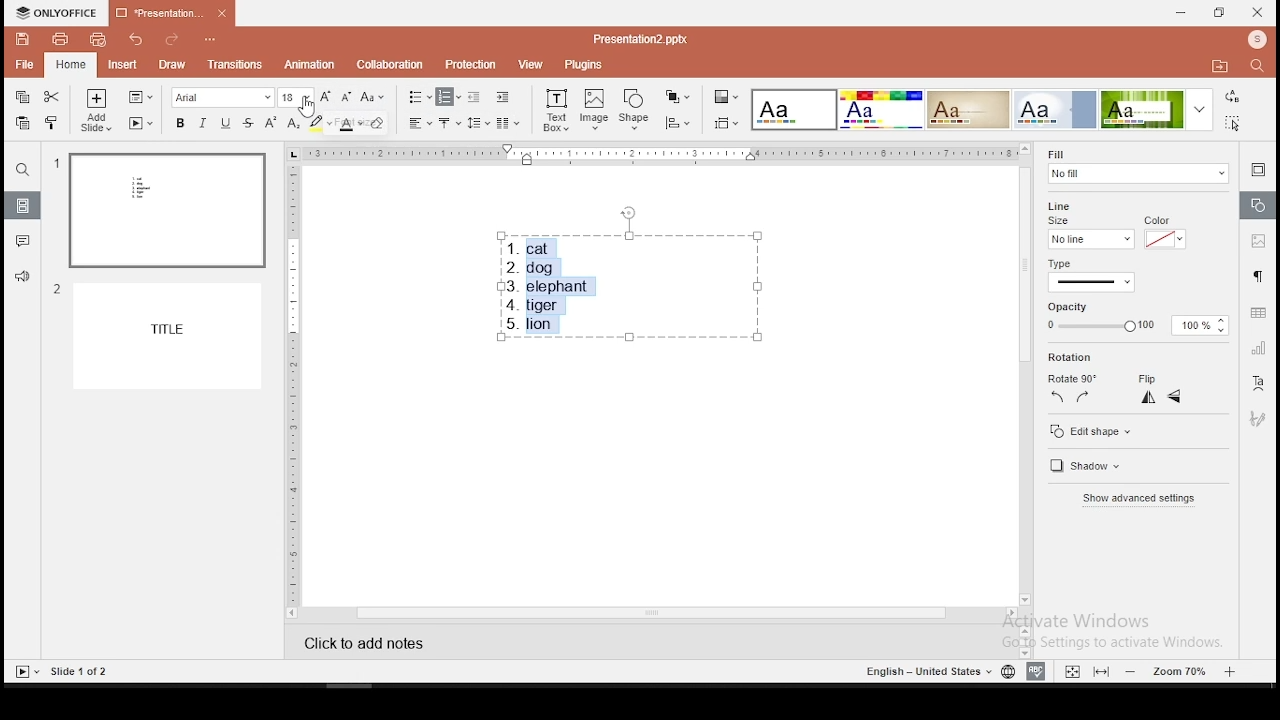 The width and height of the screenshot is (1280, 720). Describe the element at coordinates (724, 96) in the screenshot. I see `change color theme` at that location.